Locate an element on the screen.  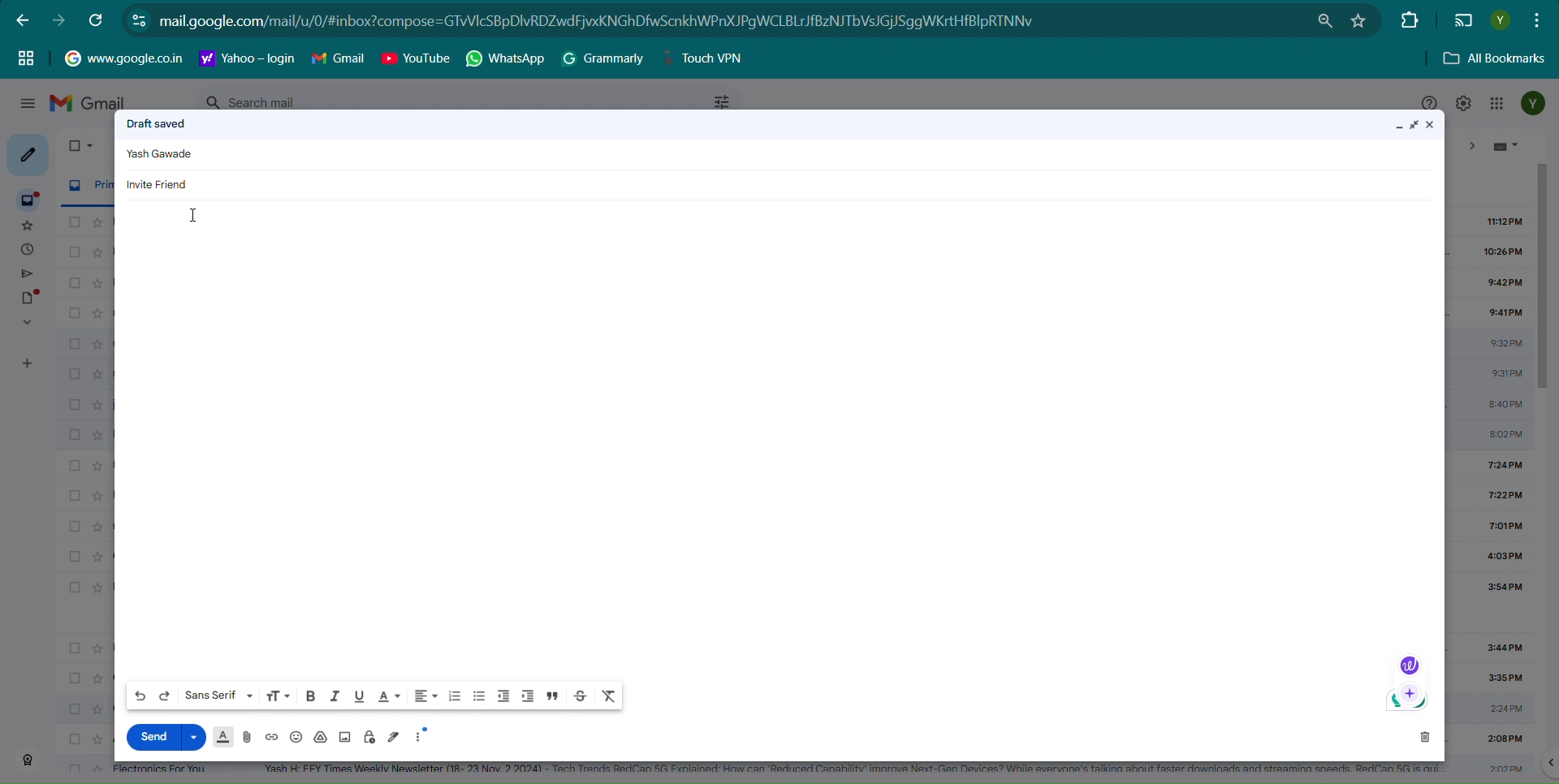
Text Cursor is located at coordinates (250, 24).